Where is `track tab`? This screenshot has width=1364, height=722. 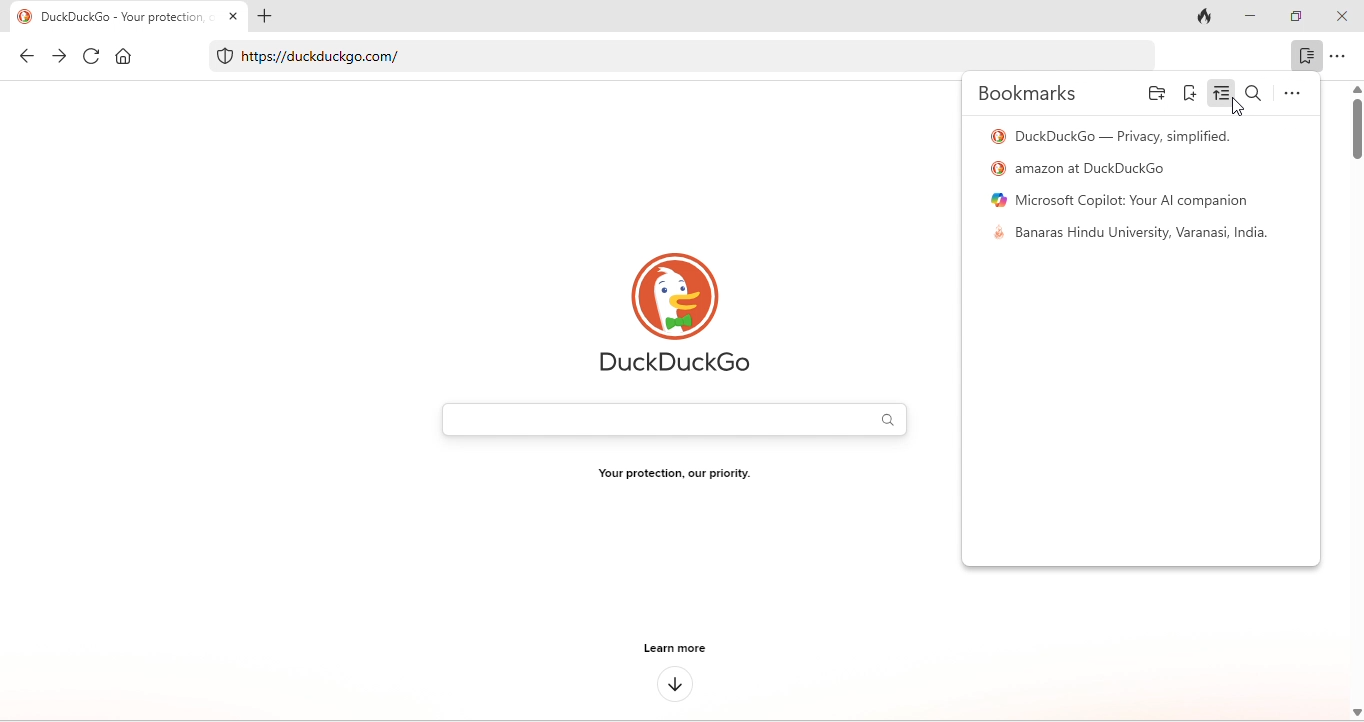
track tab is located at coordinates (1205, 18).